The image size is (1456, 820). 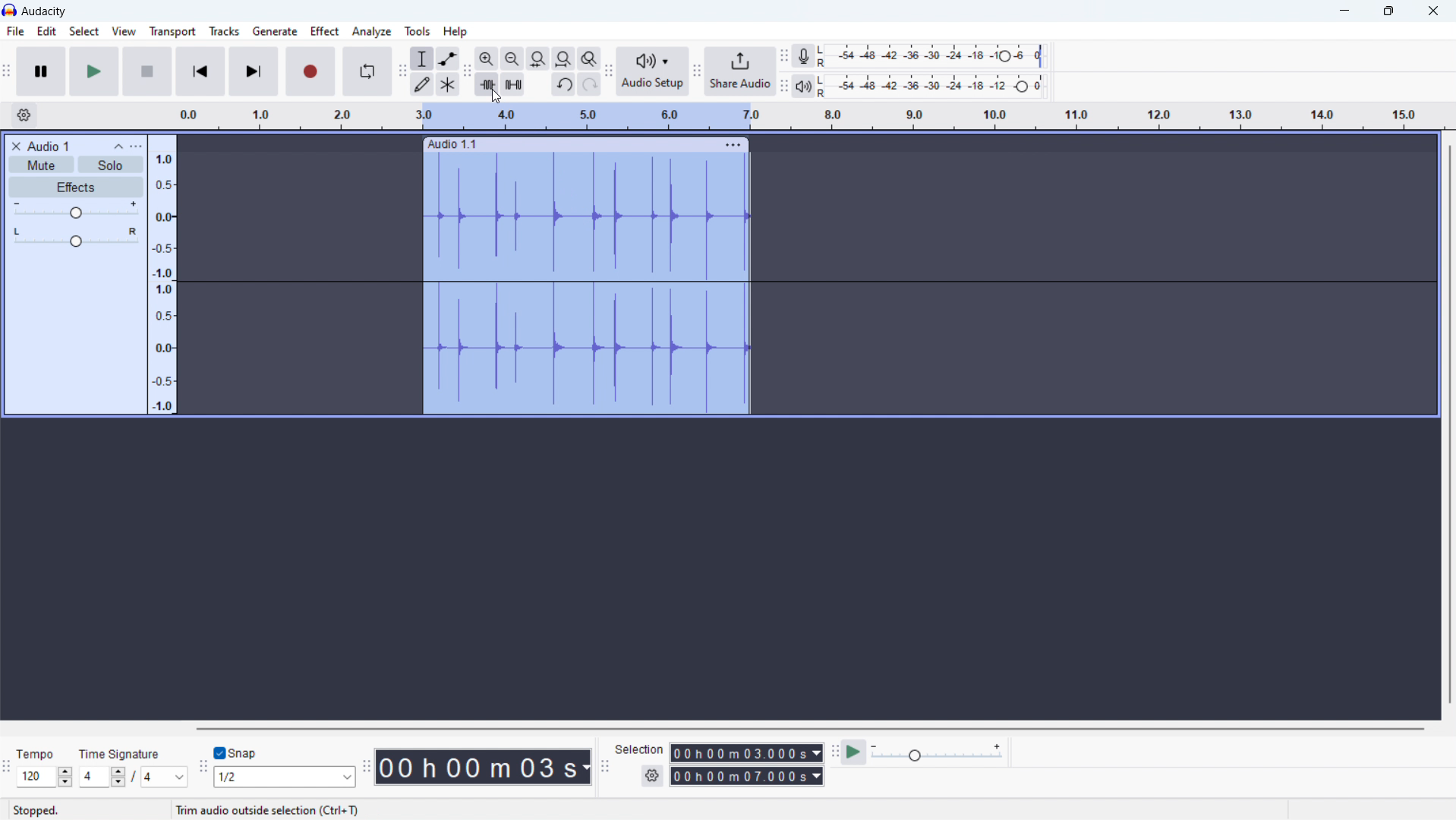 I want to click on transport, so click(x=172, y=31).